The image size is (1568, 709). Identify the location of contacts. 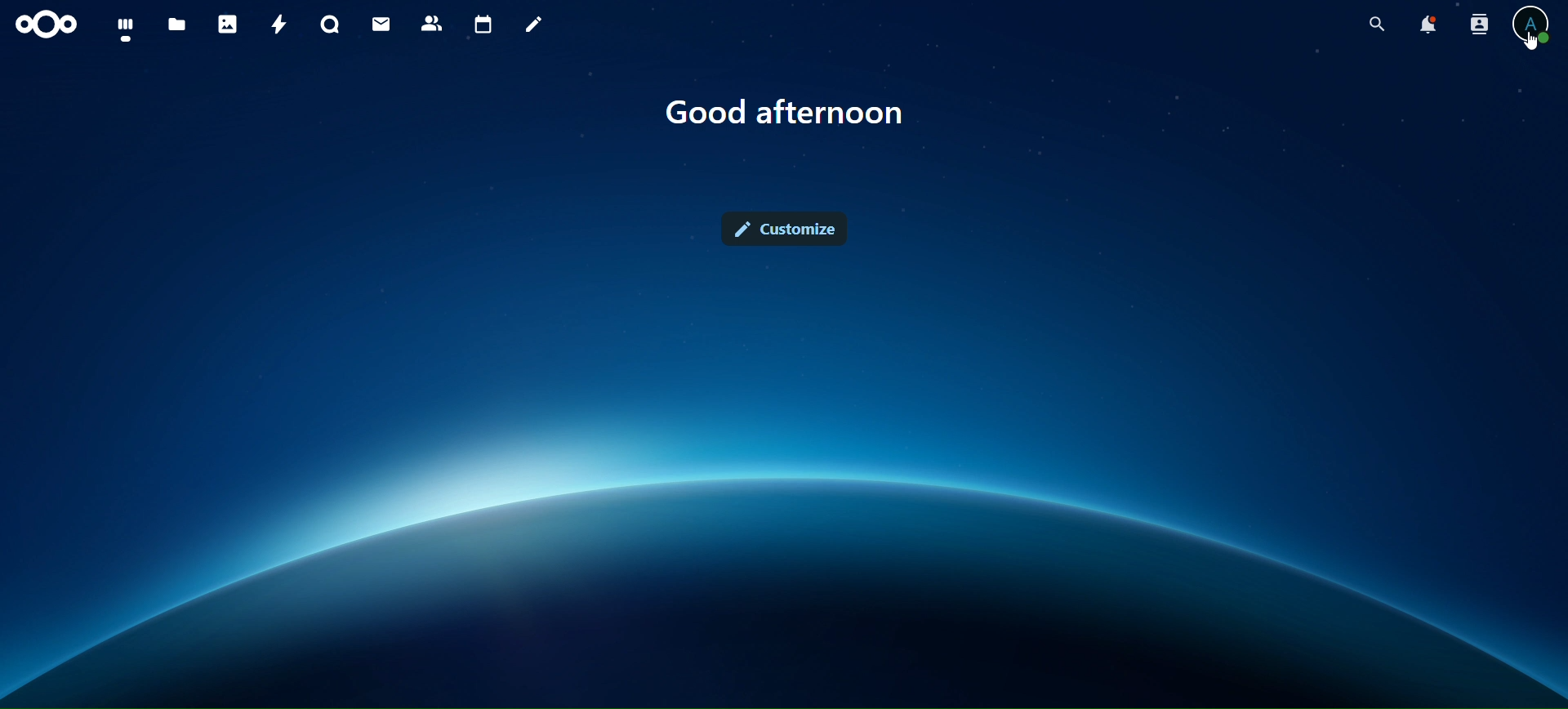
(431, 25).